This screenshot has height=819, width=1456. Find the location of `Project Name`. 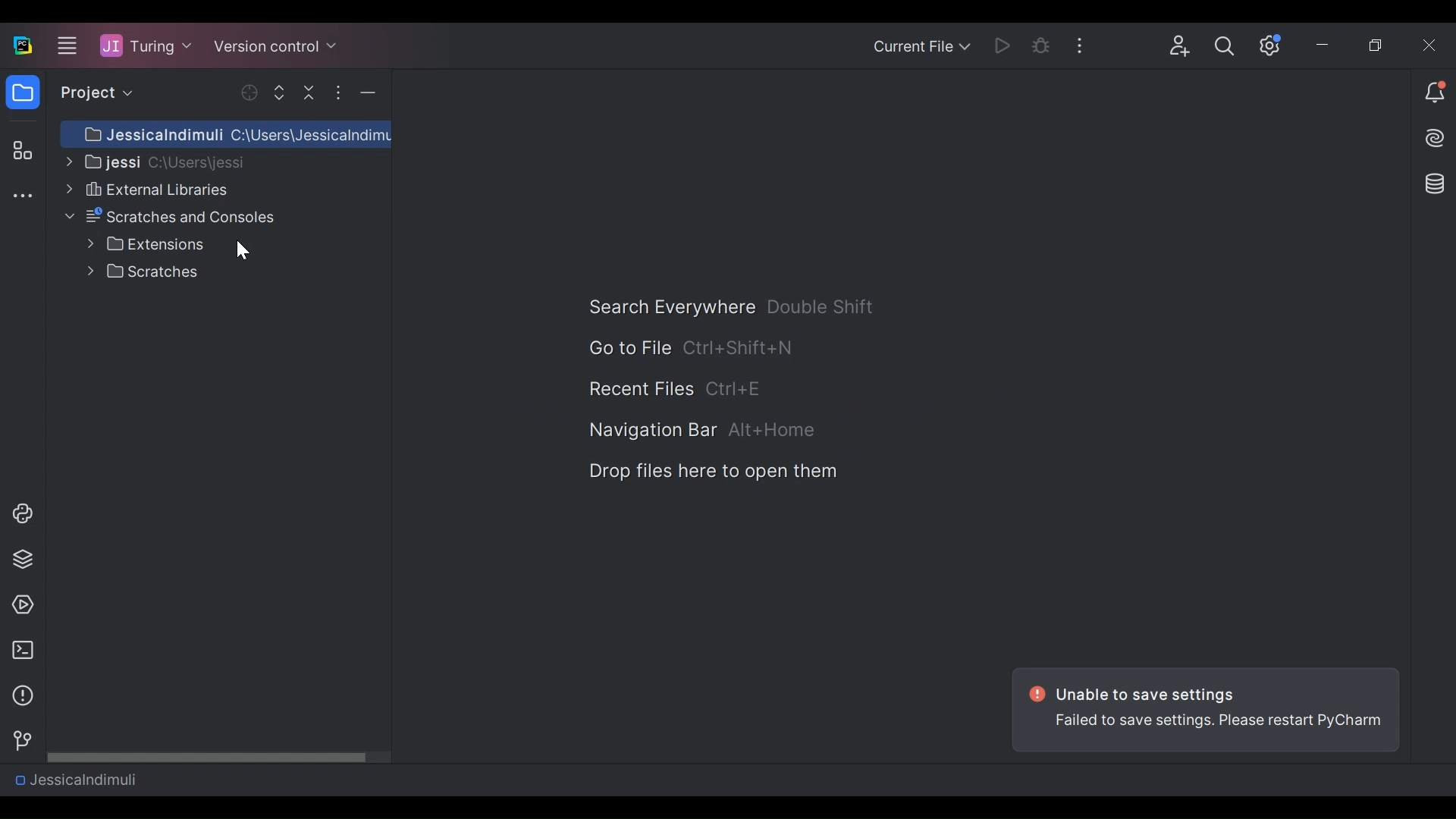

Project Name is located at coordinates (146, 45).